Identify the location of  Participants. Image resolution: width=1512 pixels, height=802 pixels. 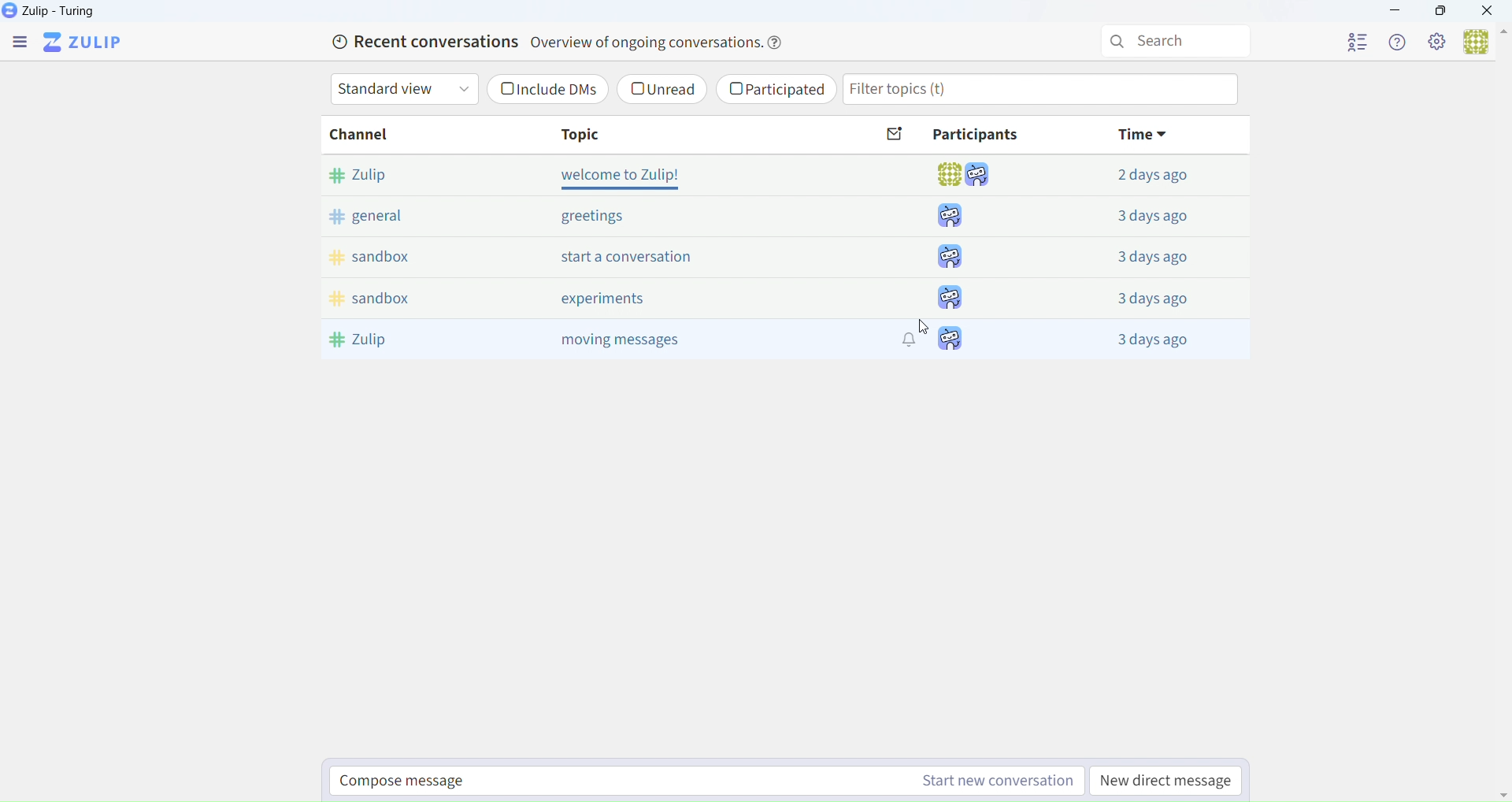
(976, 136).